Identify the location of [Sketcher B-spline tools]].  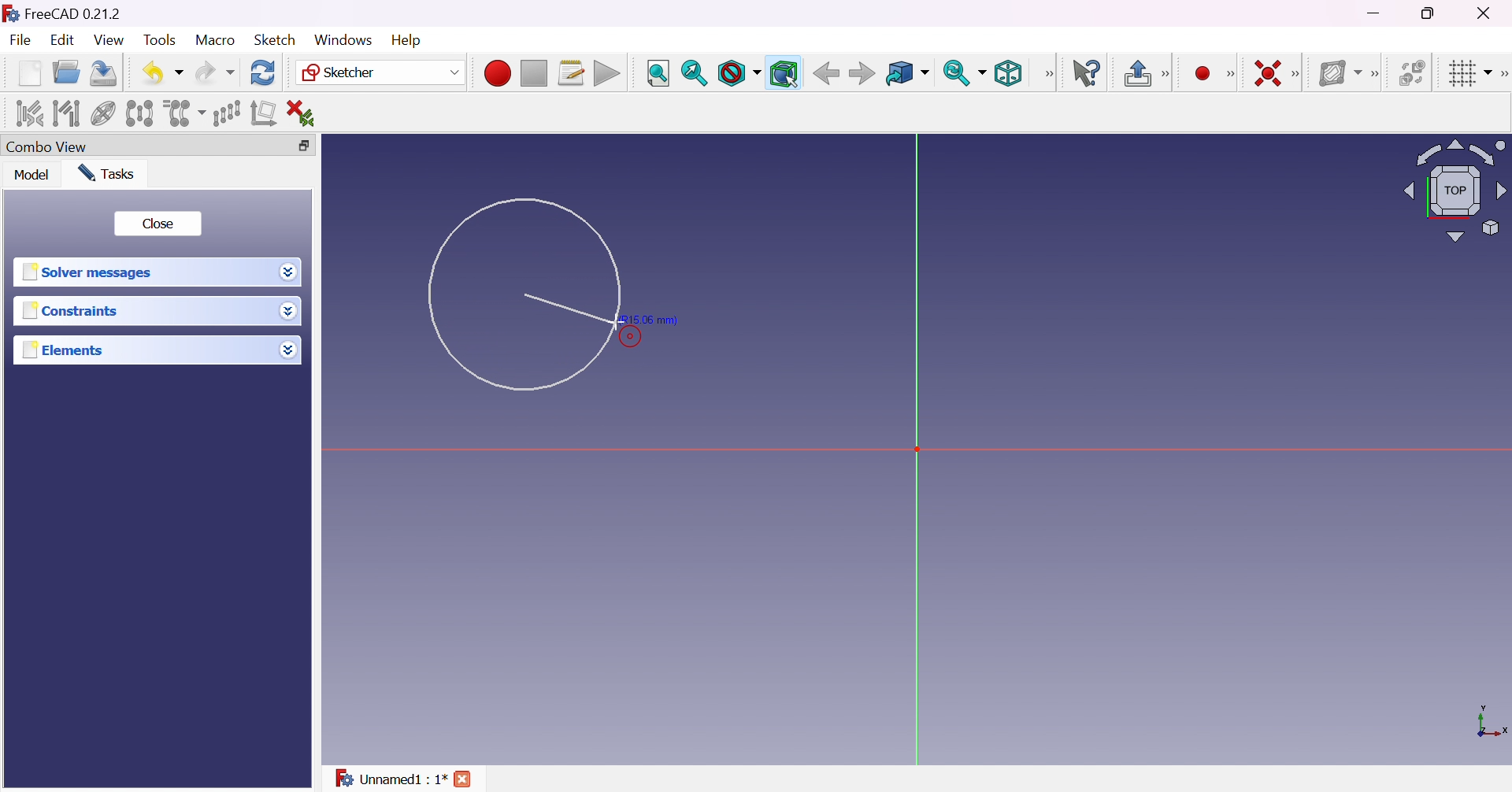
(1379, 74).